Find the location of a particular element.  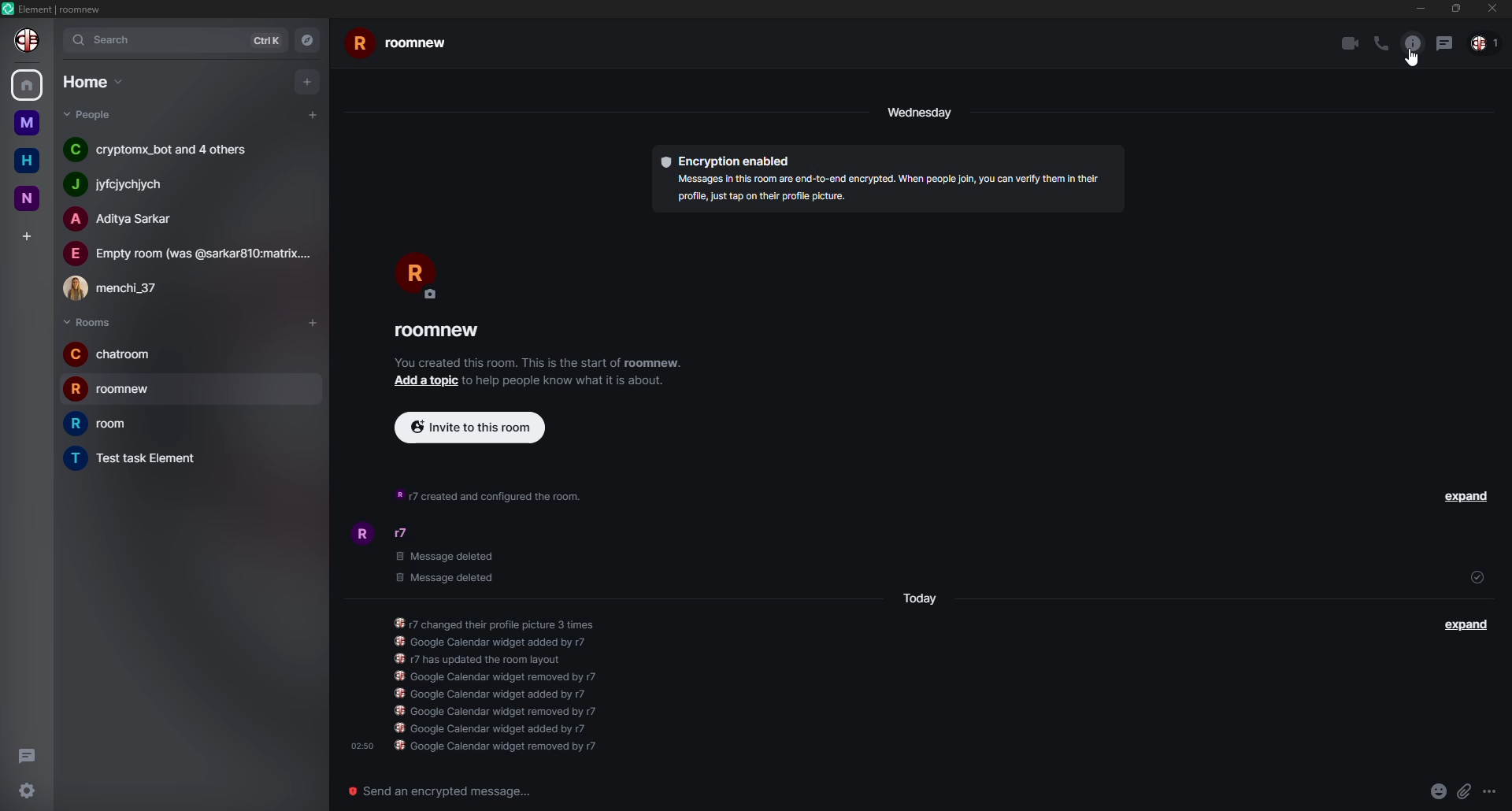

day is located at coordinates (919, 600).